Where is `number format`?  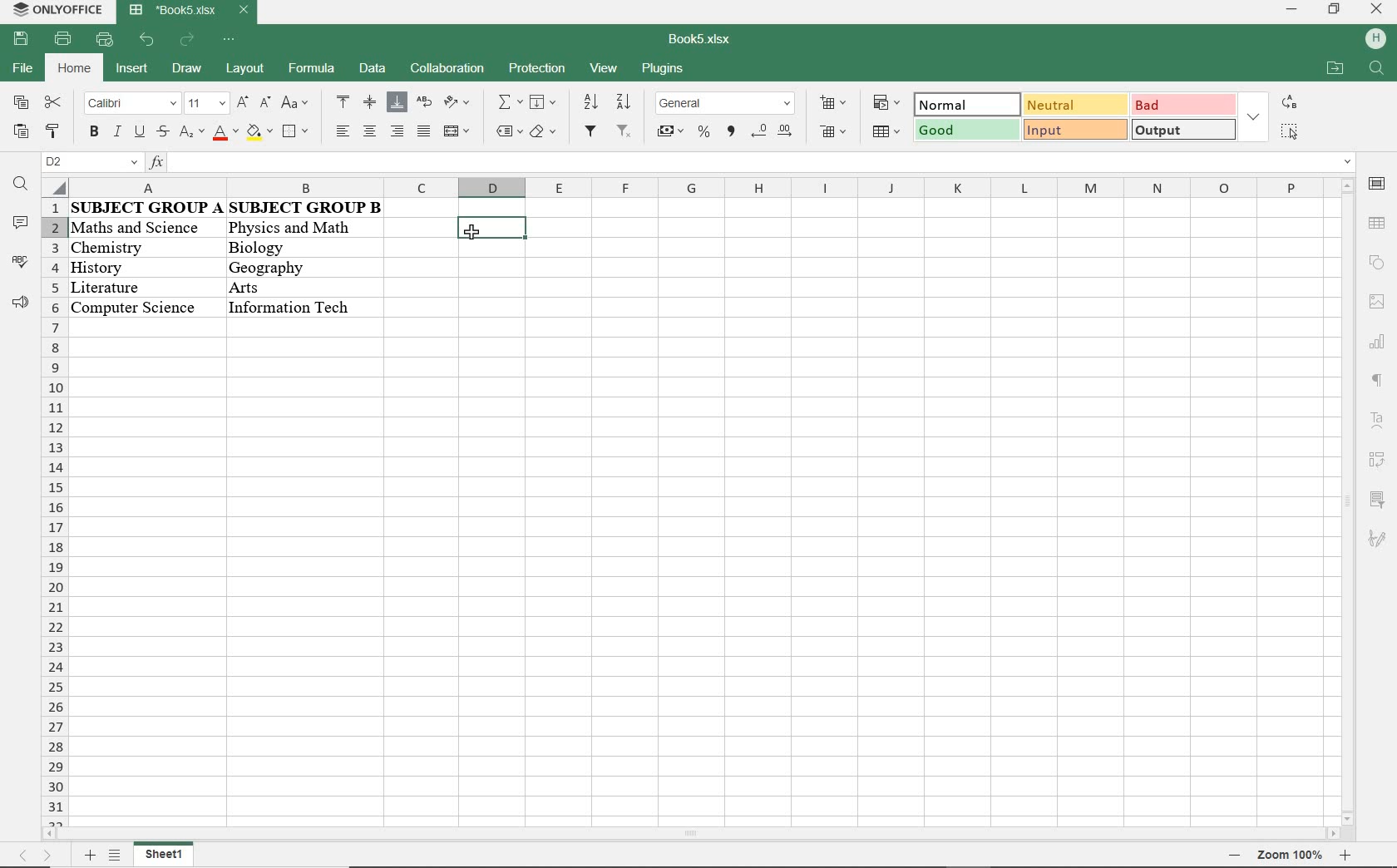
number format is located at coordinates (726, 105).